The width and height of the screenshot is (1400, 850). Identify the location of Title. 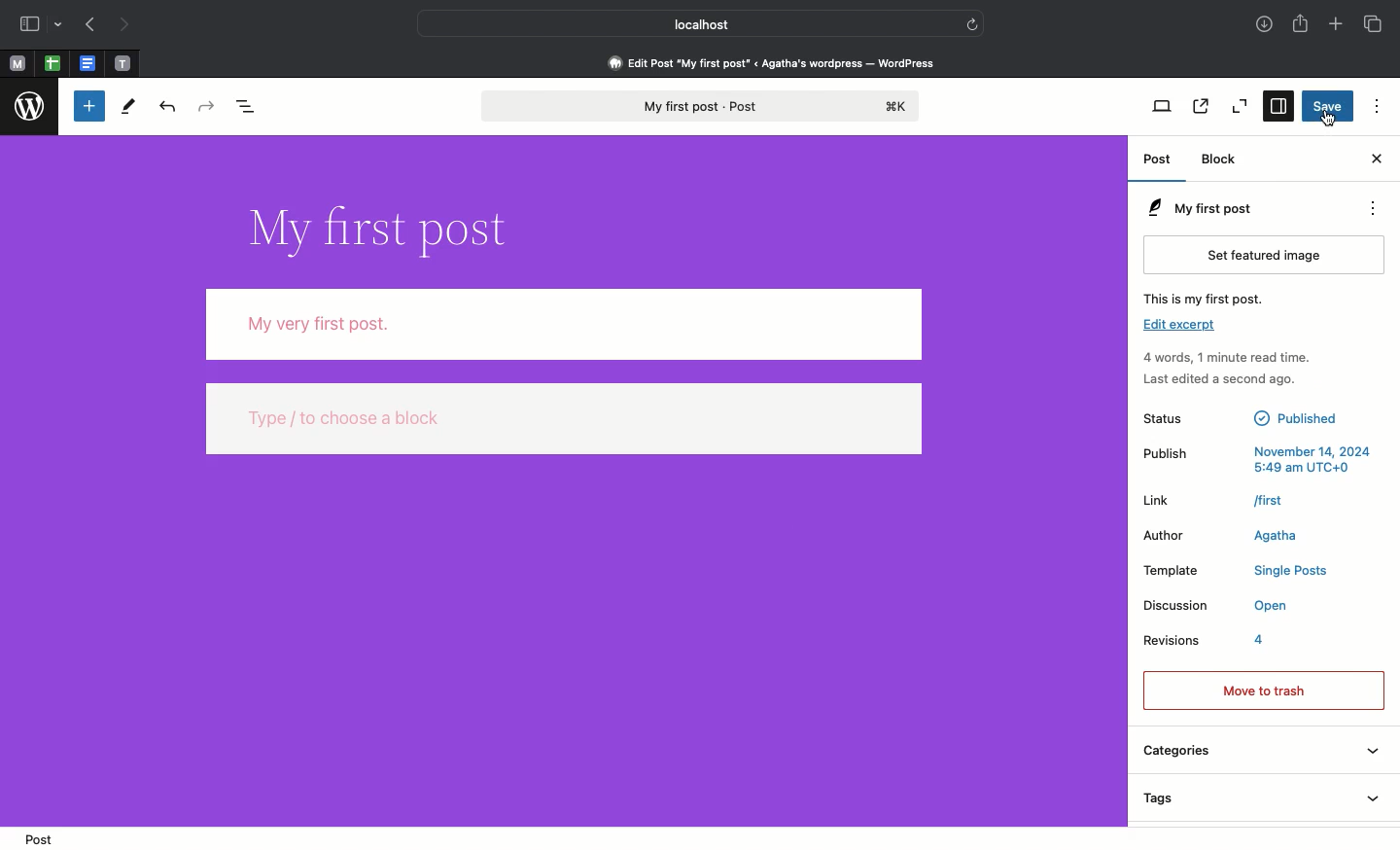
(375, 226).